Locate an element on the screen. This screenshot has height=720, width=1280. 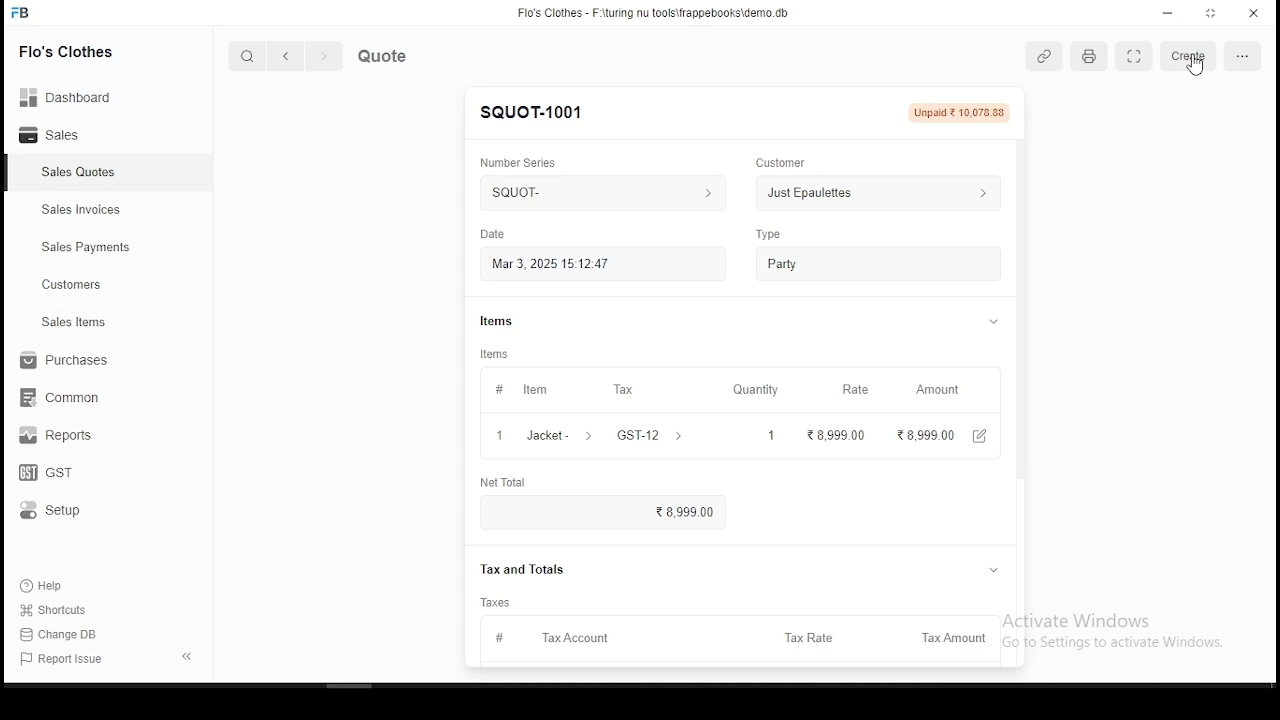
minimize is located at coordinates (1163, 13).